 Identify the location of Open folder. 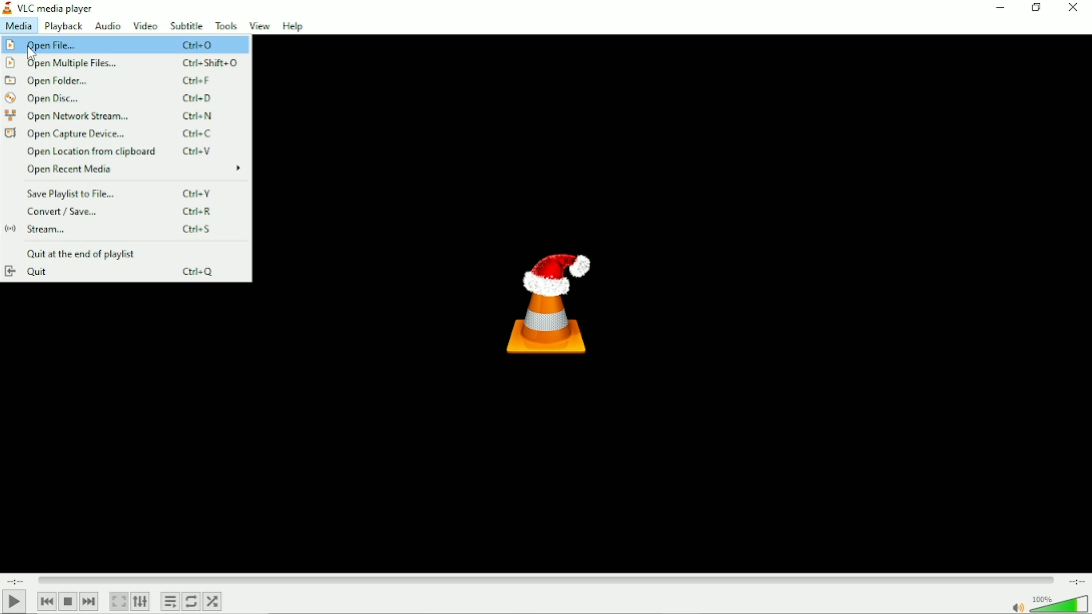
(123, 80).